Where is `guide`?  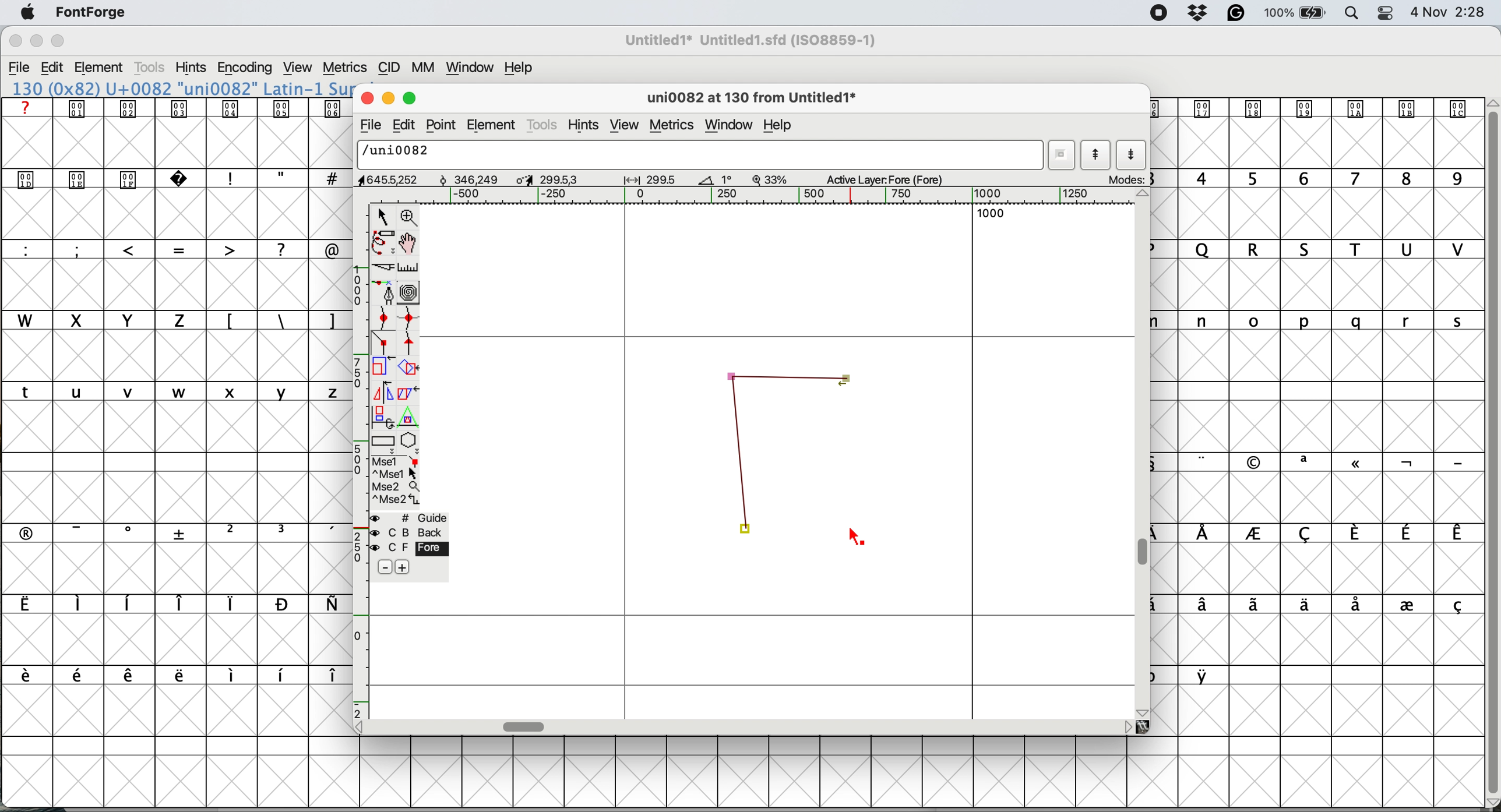 guide is located at coordinates (410, 518).